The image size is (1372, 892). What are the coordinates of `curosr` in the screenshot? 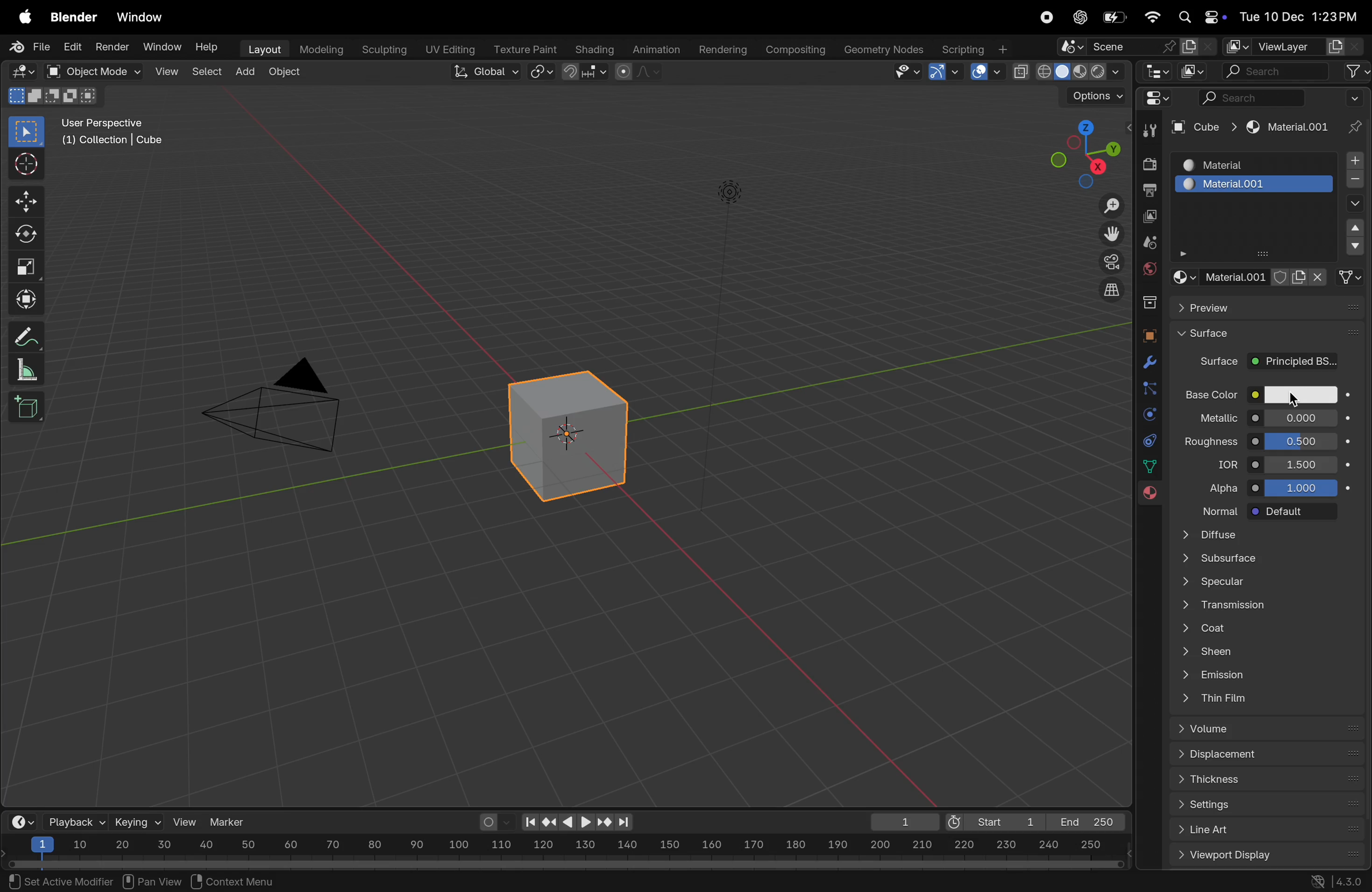 It's located at (1299, 400).